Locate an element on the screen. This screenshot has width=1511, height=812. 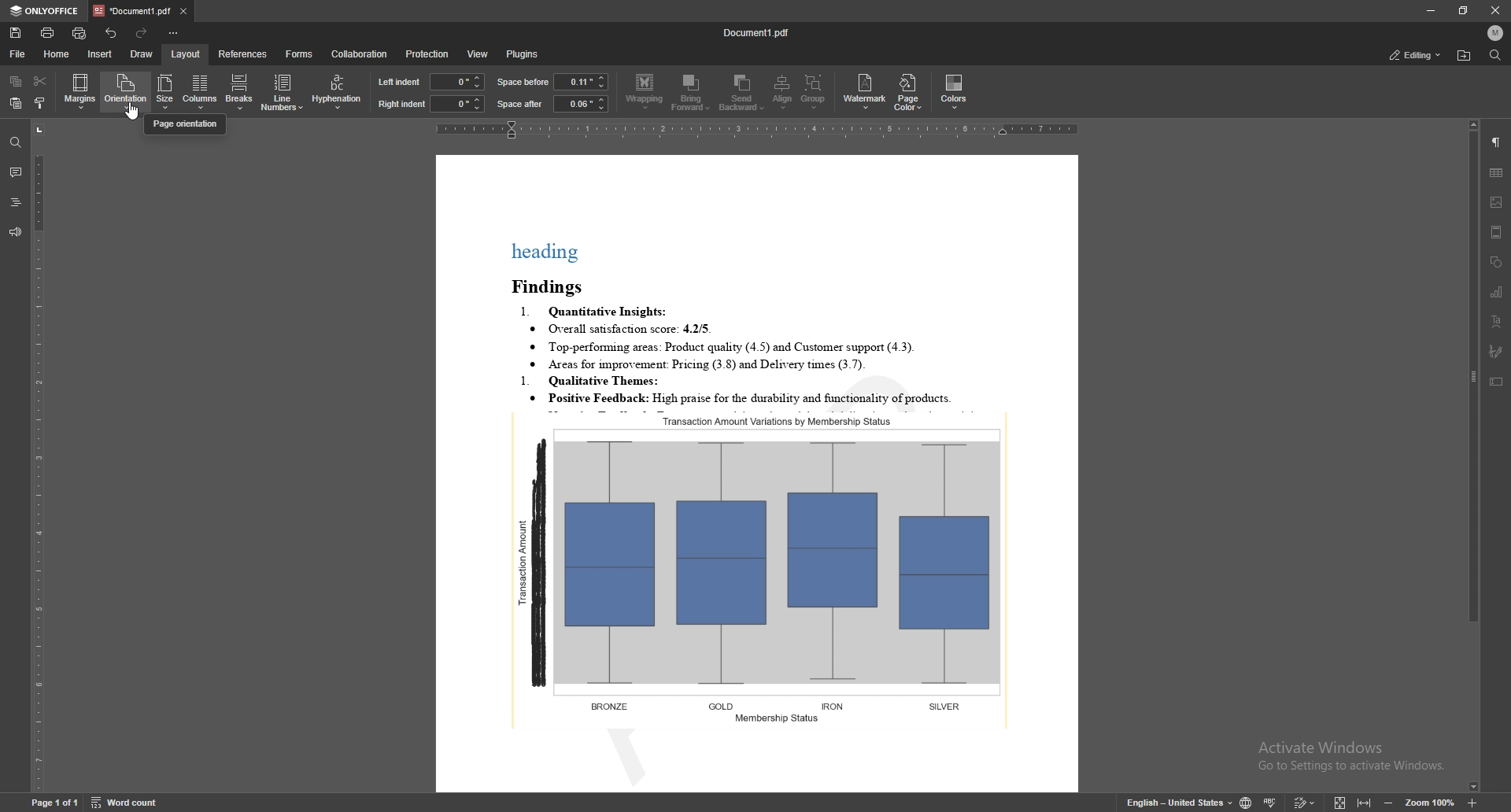
vertical scale is located at coordinates (39, 456).